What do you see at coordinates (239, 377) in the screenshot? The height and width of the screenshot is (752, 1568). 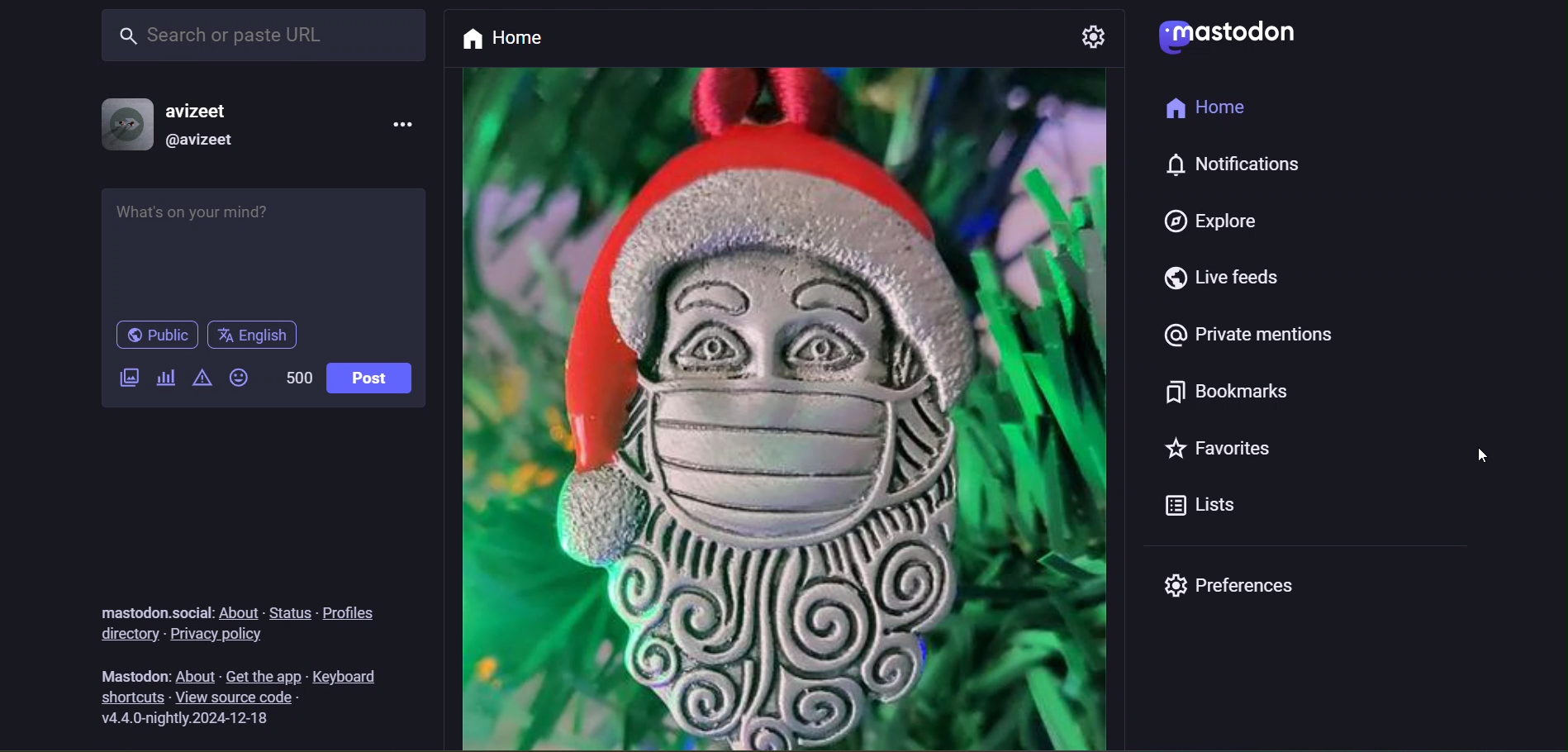 I see `emojis` at bounding box center [239, 377].